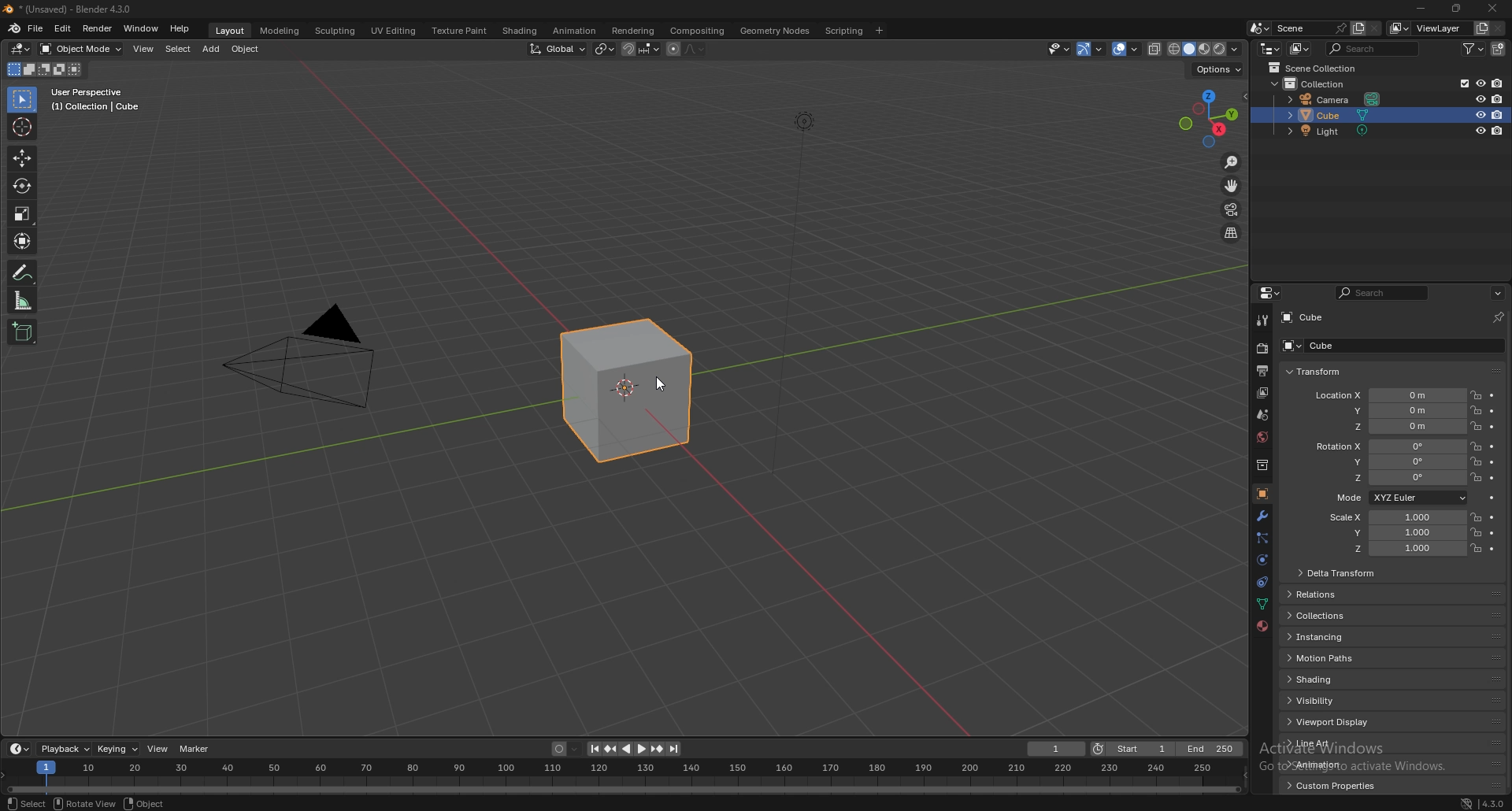 This screenshot has width=1512, height=811. Describe the element at coordinates (197, 749) in the screenshot. I see `marker` at that location.